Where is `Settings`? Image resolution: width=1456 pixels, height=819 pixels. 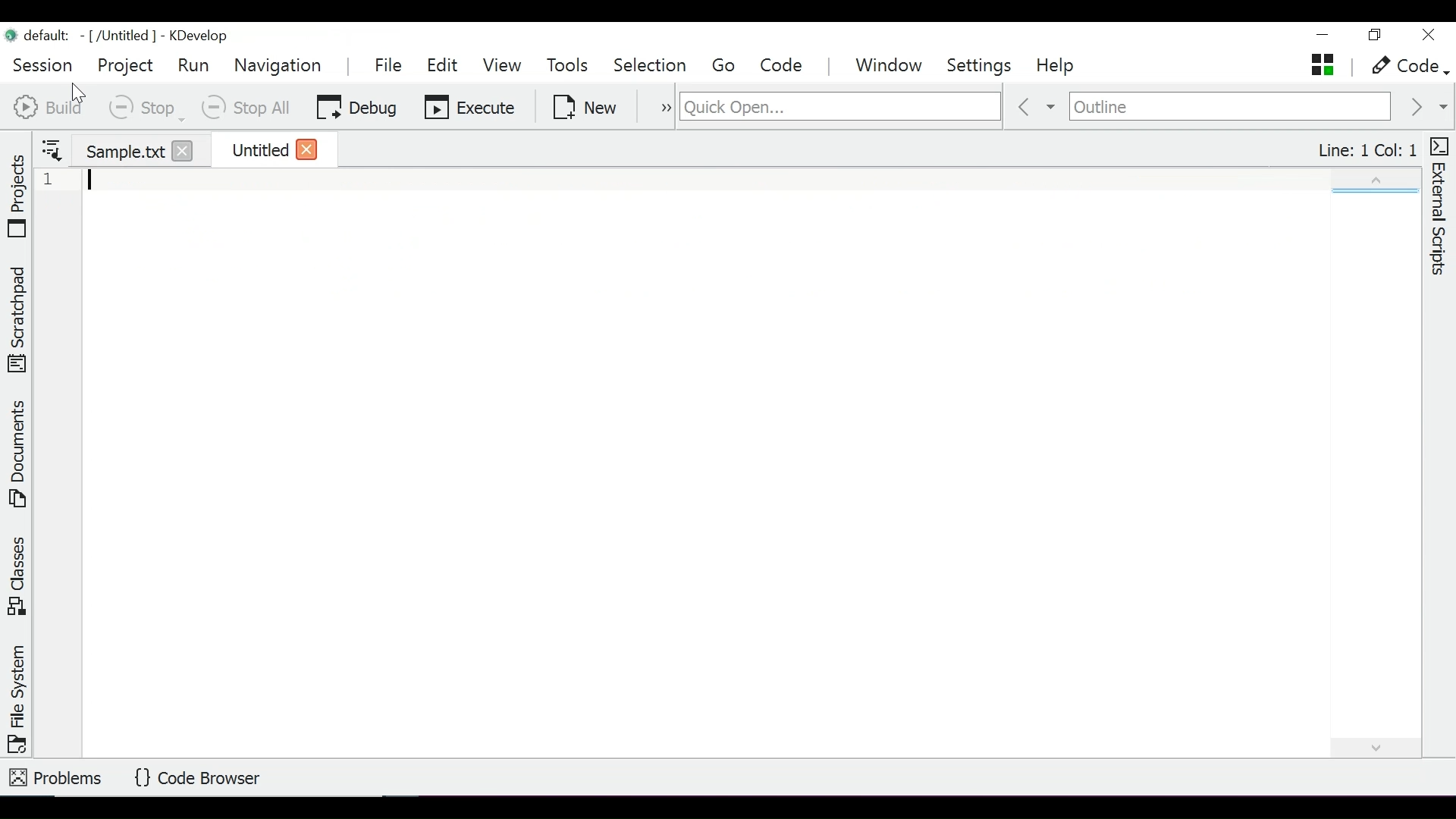 Settings is located at coordinates (980, 66).